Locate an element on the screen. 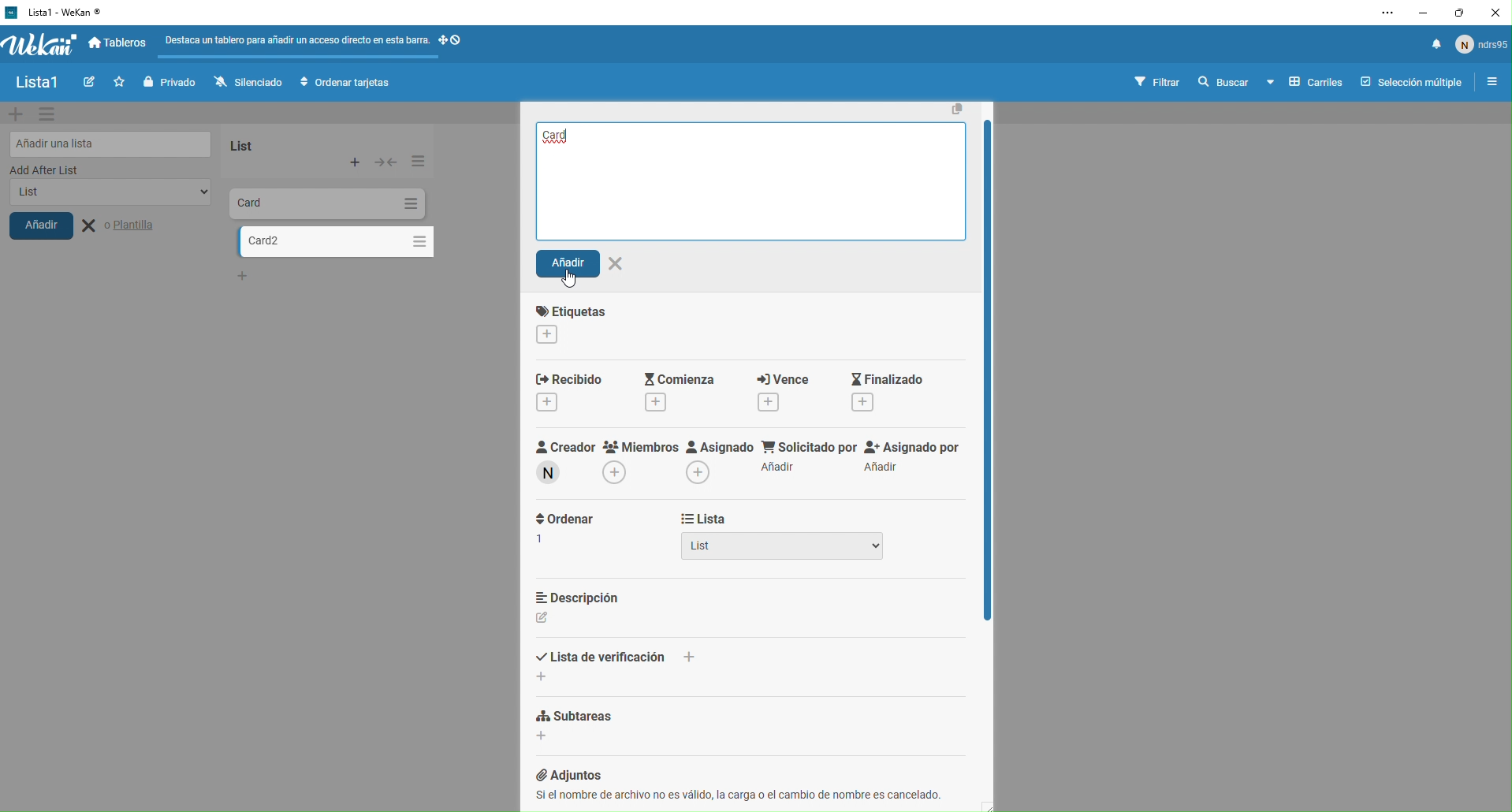  Add is located at coordinates (356, 162).